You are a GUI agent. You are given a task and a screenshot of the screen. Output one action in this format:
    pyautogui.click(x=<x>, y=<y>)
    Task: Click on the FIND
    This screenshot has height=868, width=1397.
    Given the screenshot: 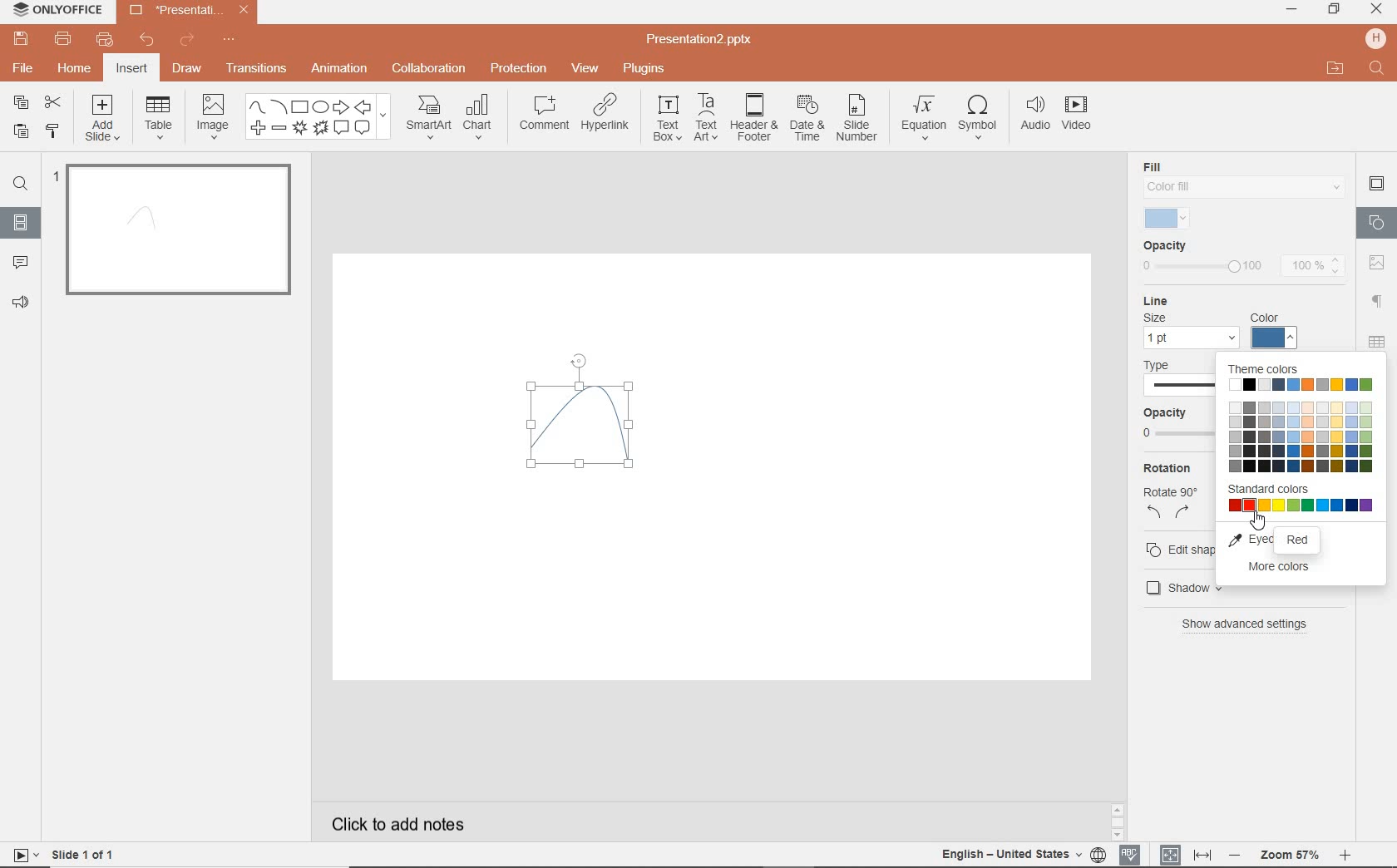 What is the action you would take?
    pyautogui.click(x=23, y=184)
    